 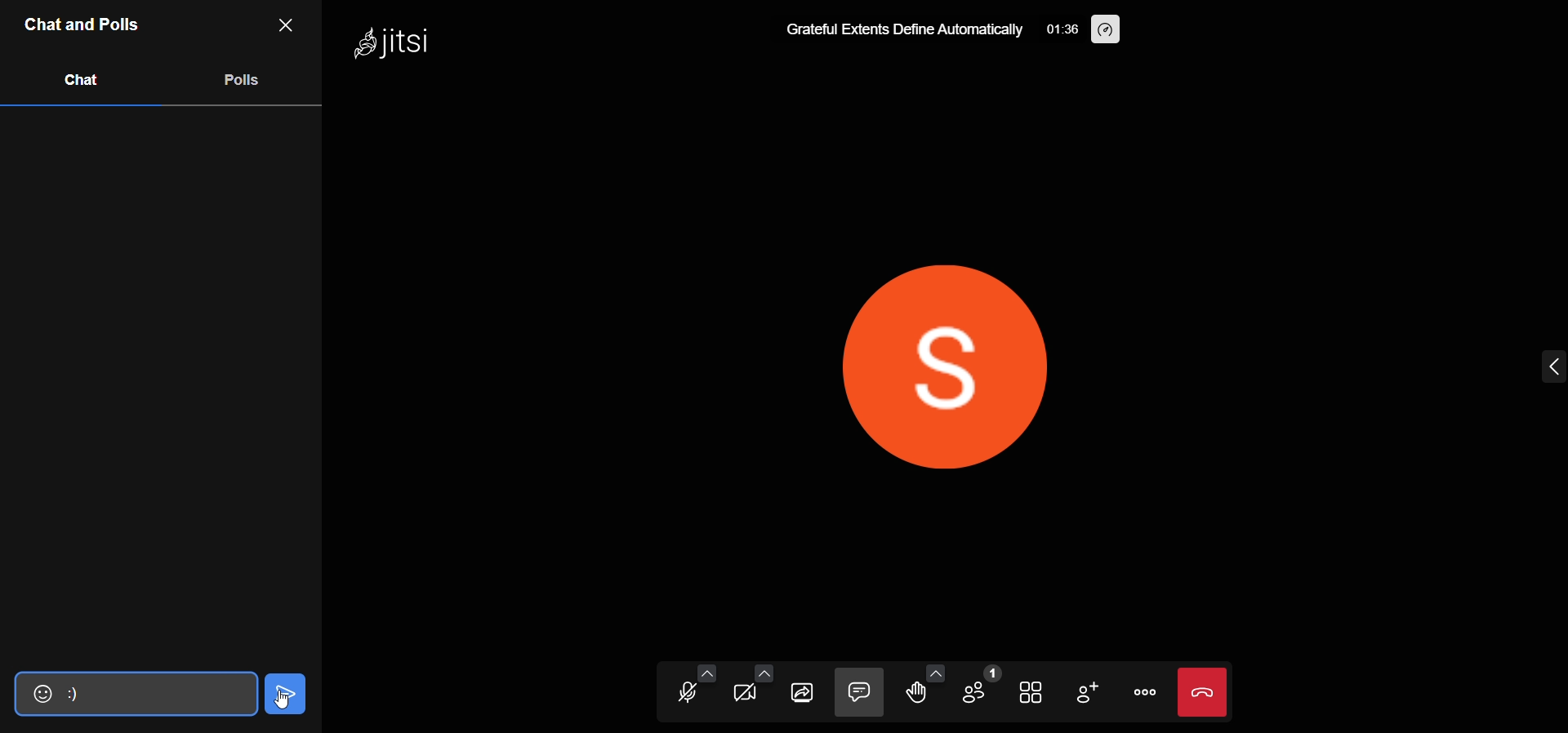 I want to click on more emoji, so click(x=938, y=670).